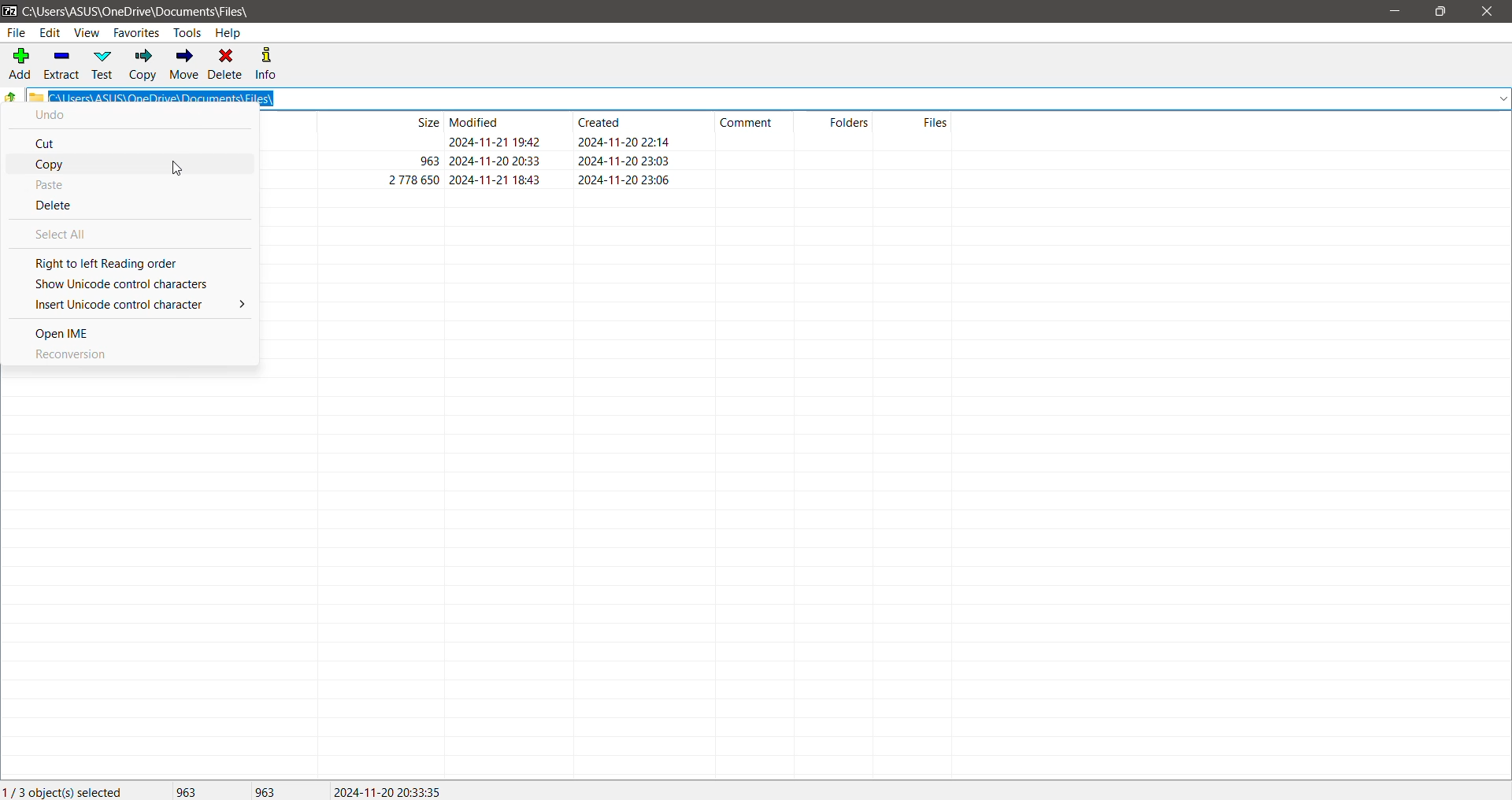 The image size is (1512, 800). Describe the element at coordinates (139, 303) in the screenshot. I see `Insert Unicode control character` at that location.